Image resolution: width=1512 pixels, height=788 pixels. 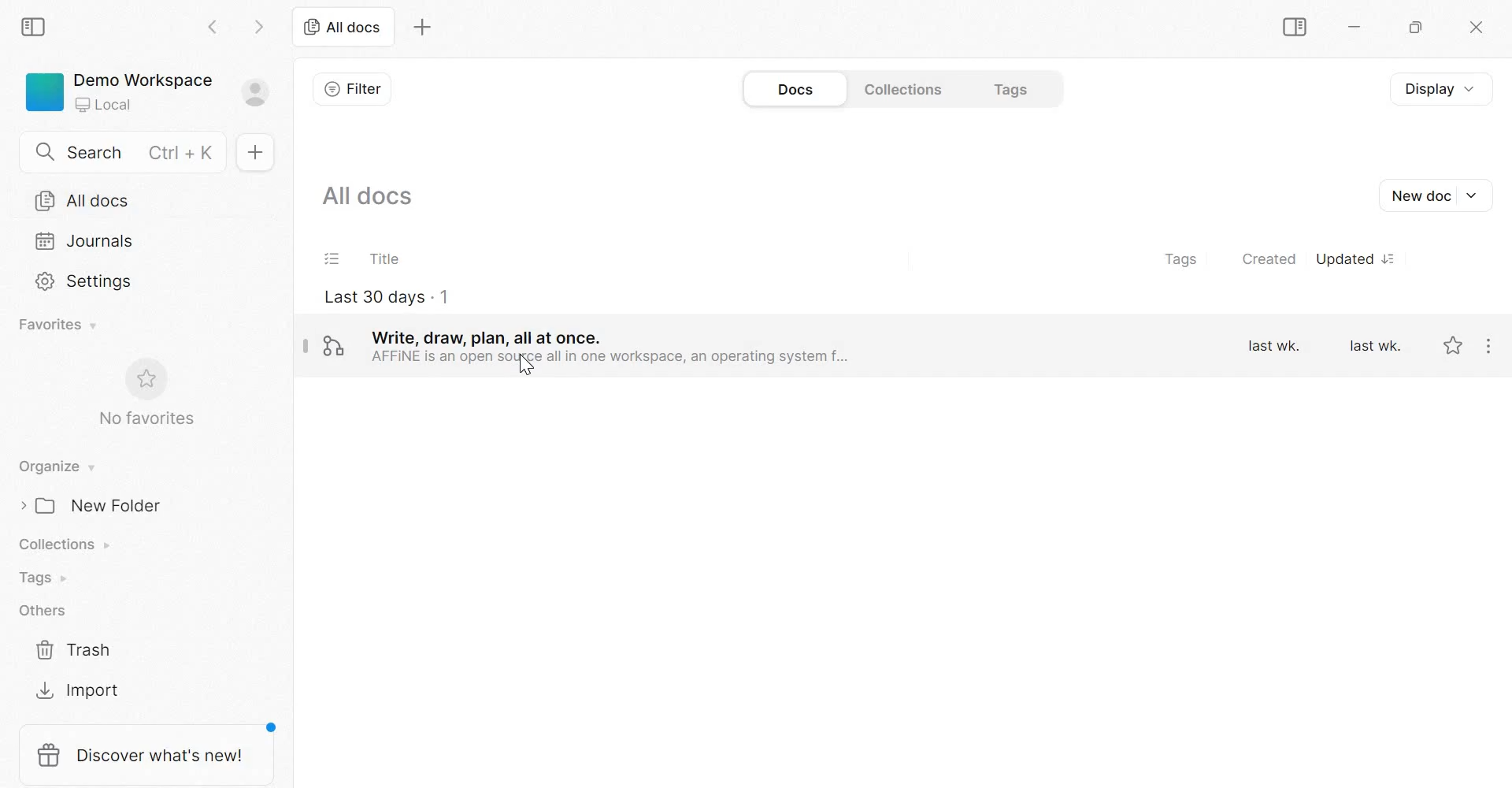 I want to click on All docs, so click(x=138, y=200).